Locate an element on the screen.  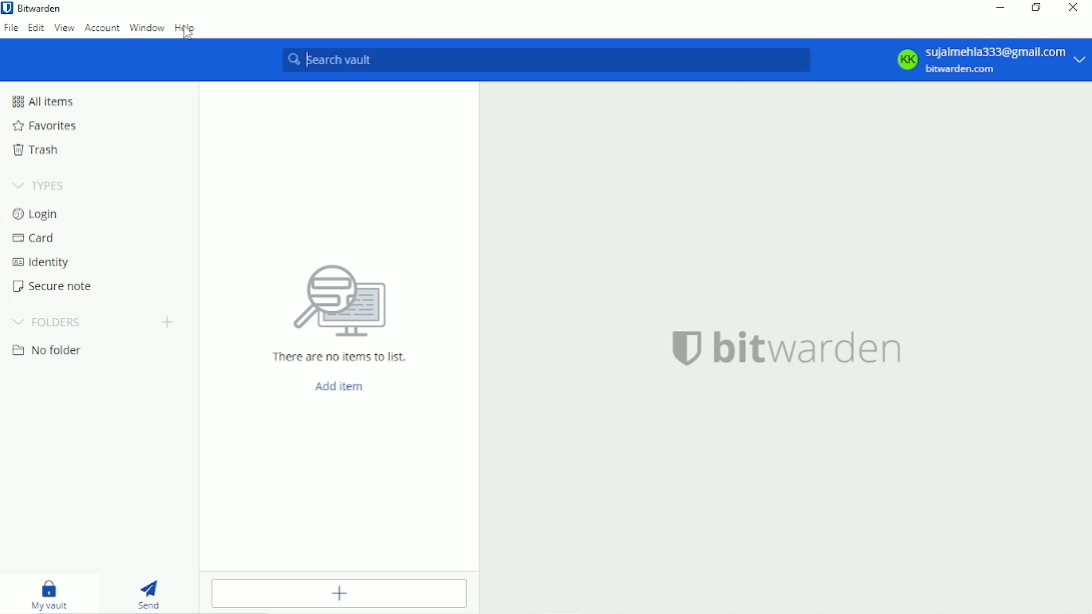
logo is located at coordinates (685, 348).